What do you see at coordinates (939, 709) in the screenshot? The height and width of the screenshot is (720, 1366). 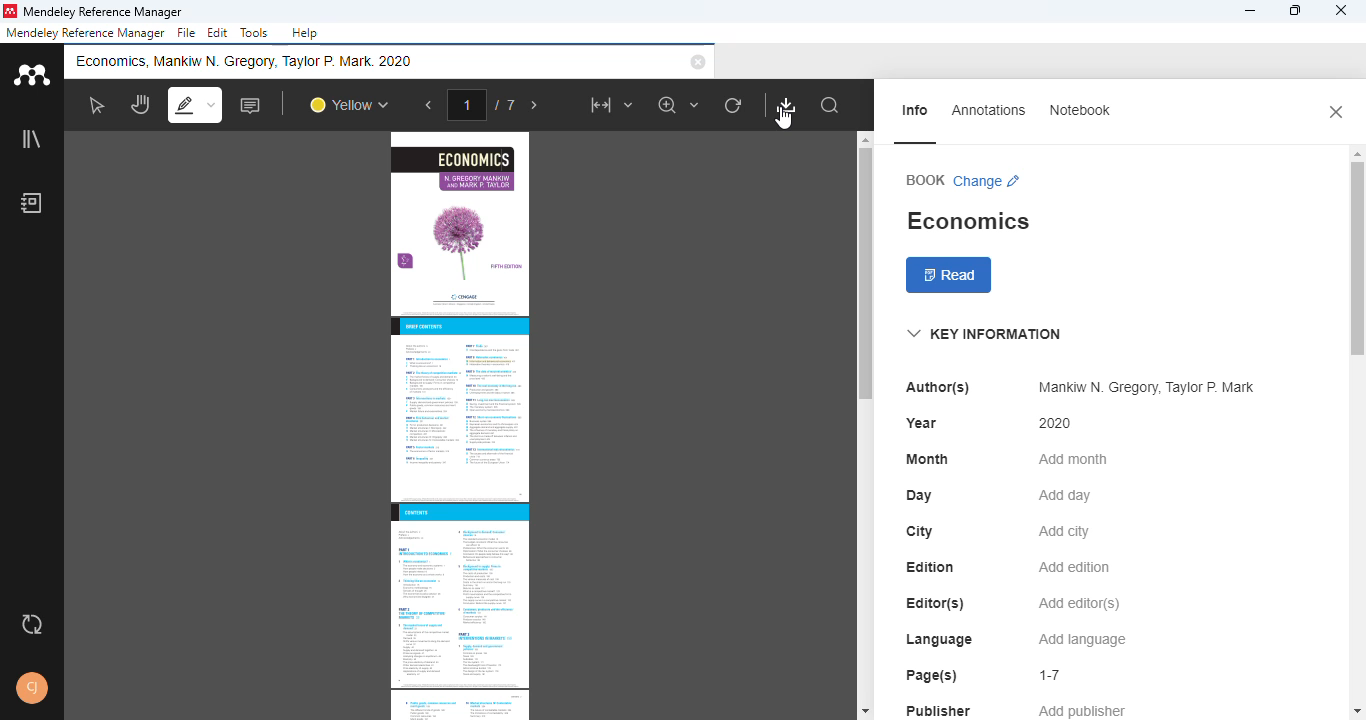 I see `publisher` at bounding box center [939, 709].